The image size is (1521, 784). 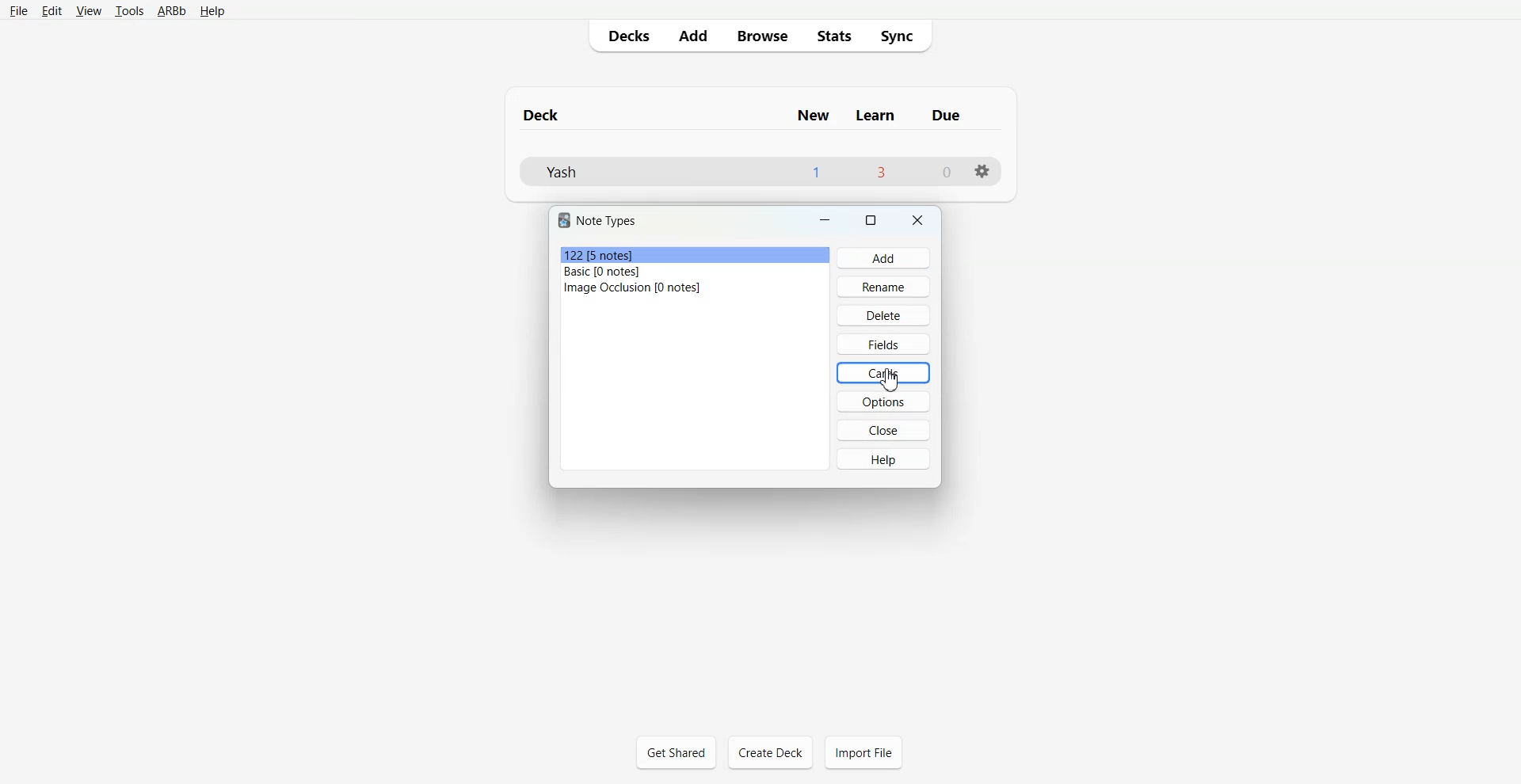 What do you see at coordinates (886, 431) in the screenshot?
I see `Close` at bounding box center [886, 431].